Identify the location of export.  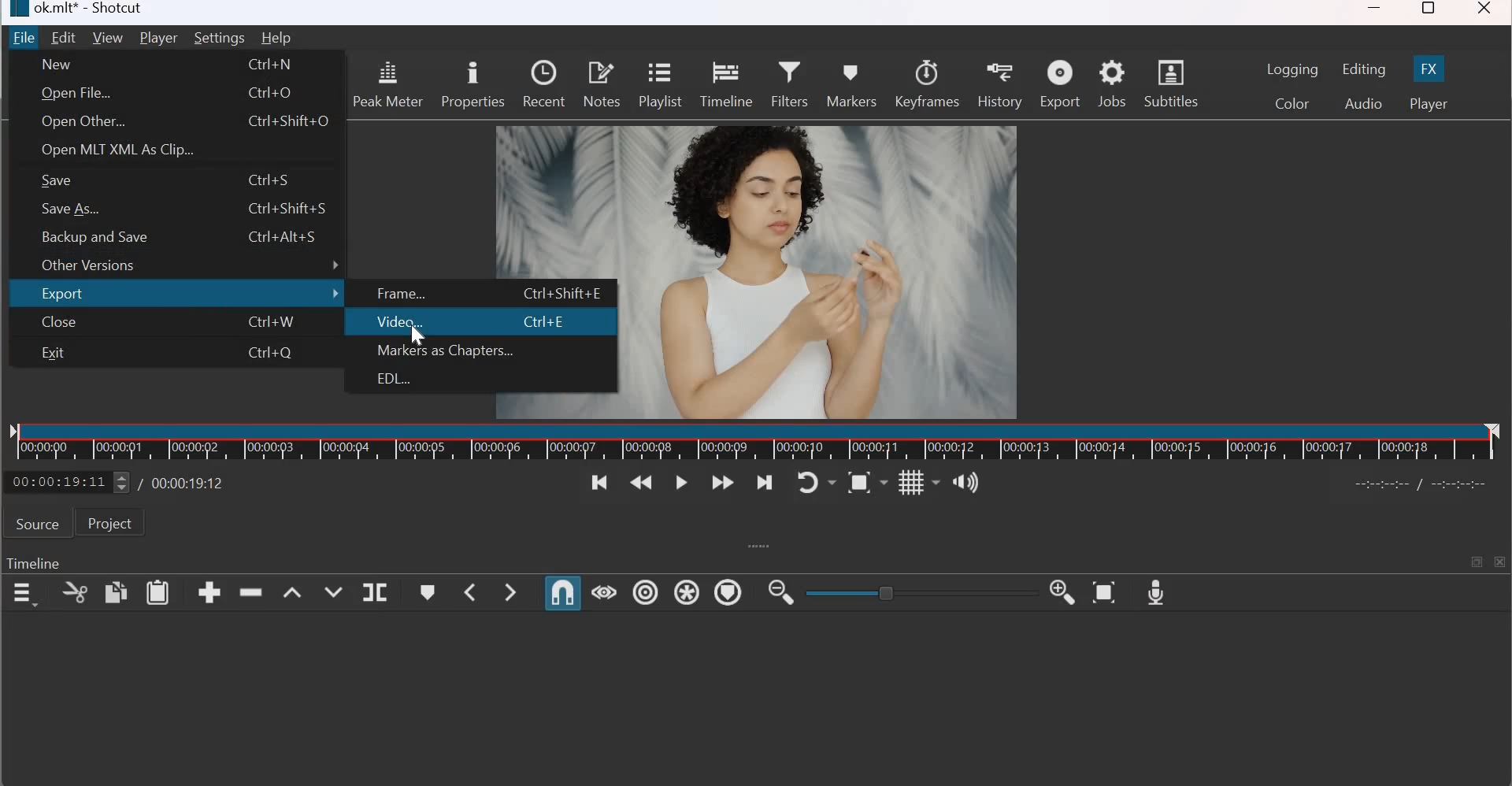
(187, 294).